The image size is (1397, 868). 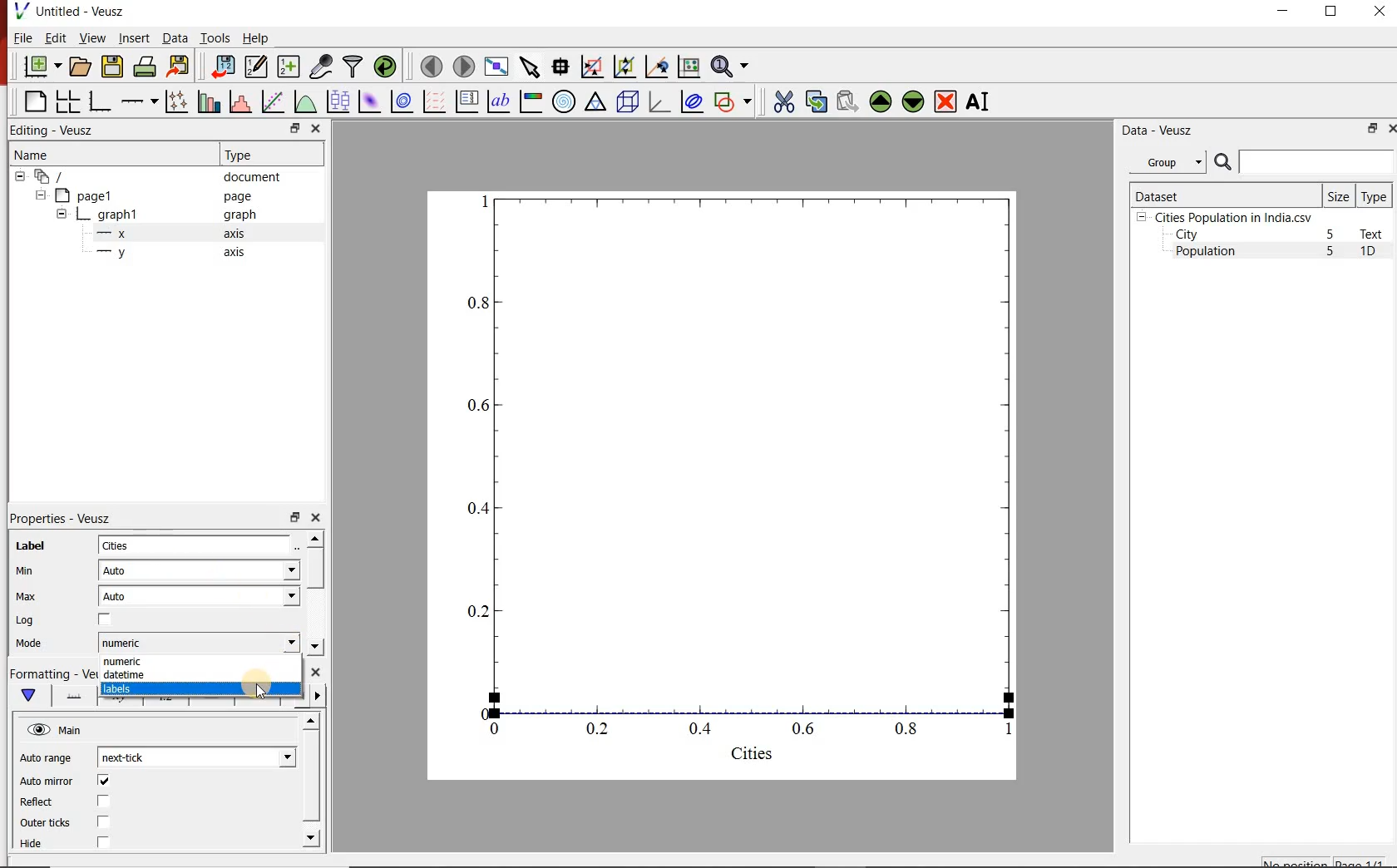 I want to click on Cities, so click(x=199, y=545).